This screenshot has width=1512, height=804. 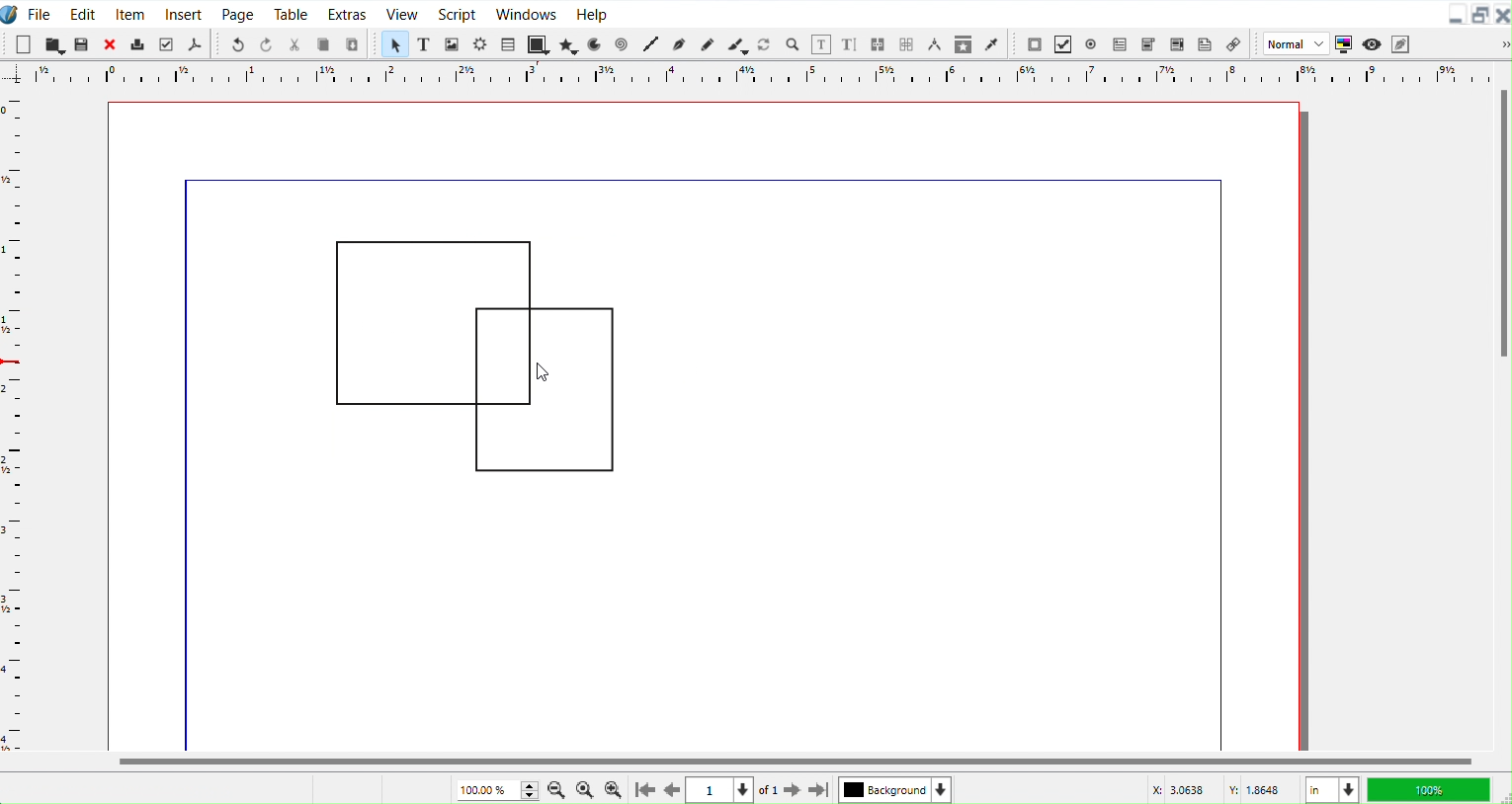 What do you see at coordinates (541, 368) in the screenshot?
I see `Cursor` at bounding box center [541, 368].